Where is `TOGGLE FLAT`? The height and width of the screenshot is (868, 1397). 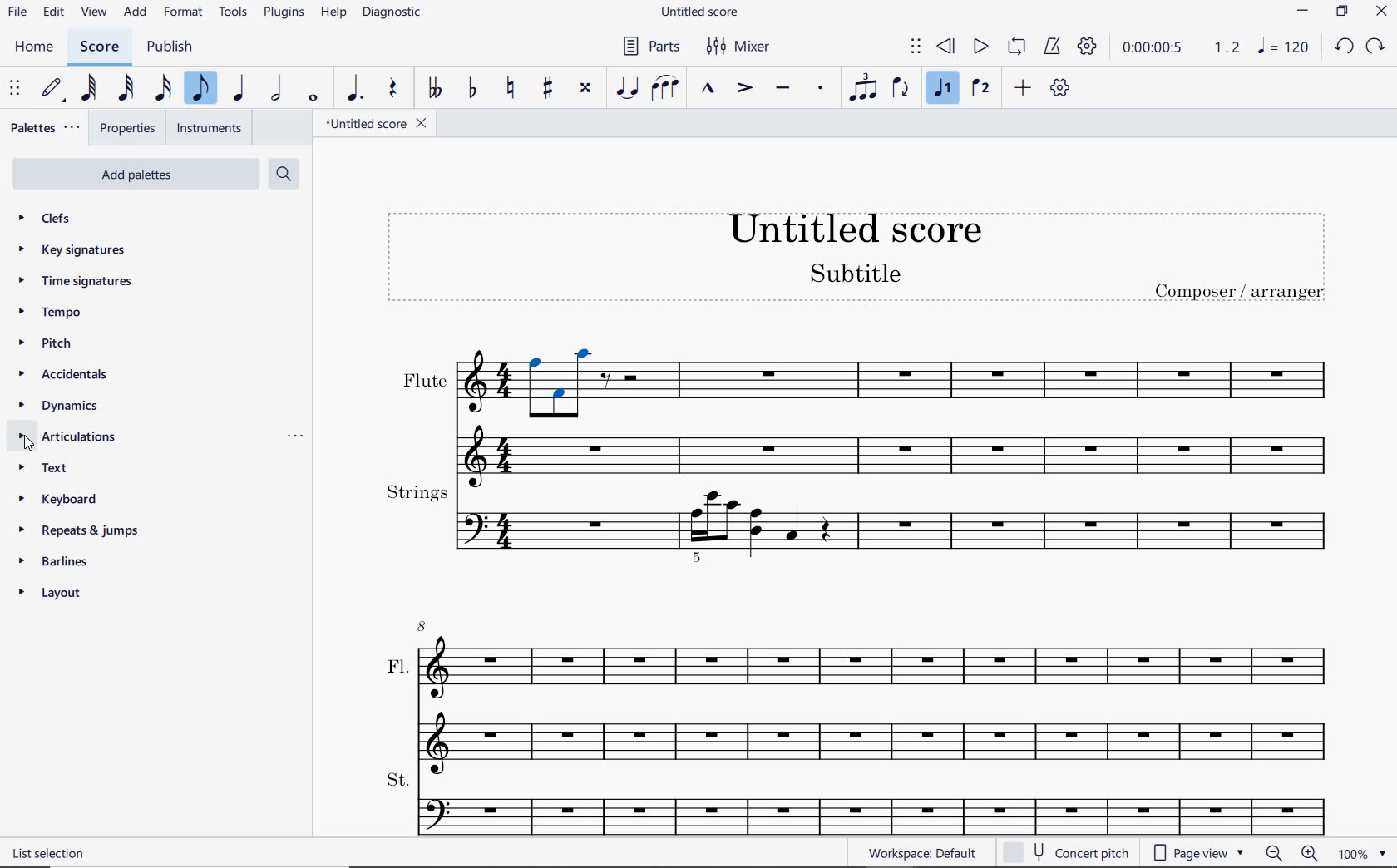
TOGGLE FLAT is located at coordinates (474, 86).